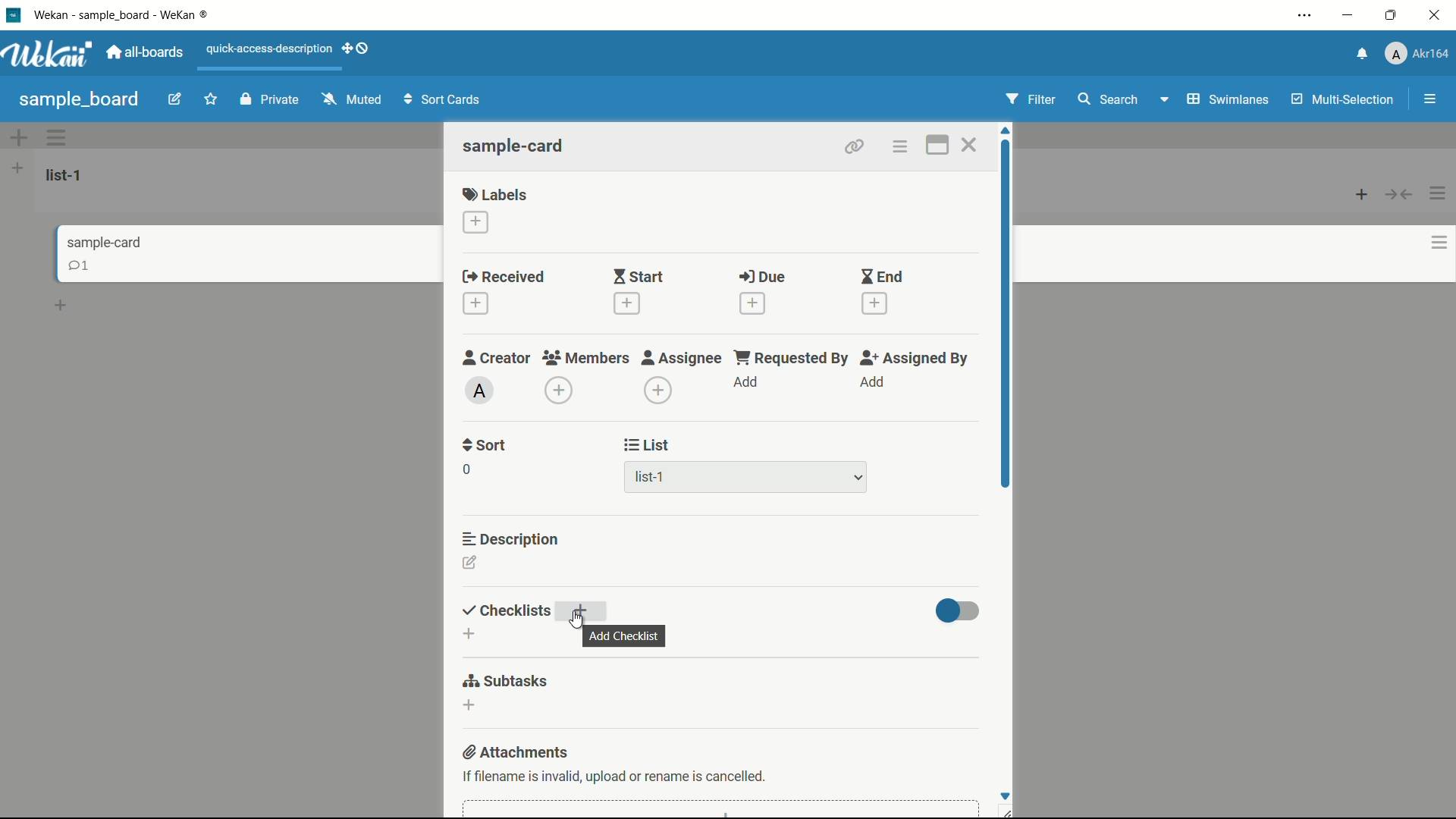 The width and height of the screenshot is (1456, 819). I want to click on options, so click(1433, 240).